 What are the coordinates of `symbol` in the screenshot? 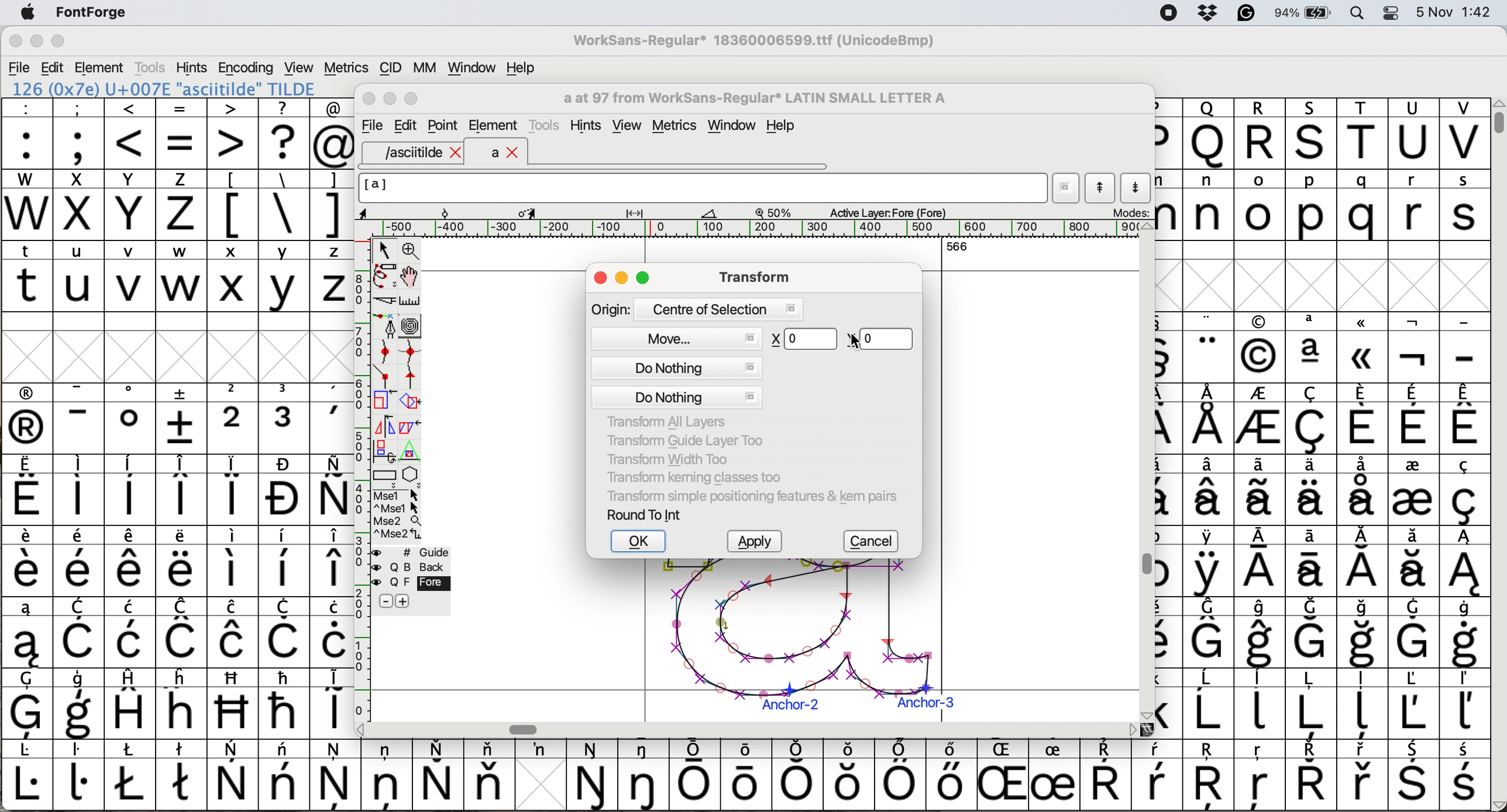 It's located at (234, 490).